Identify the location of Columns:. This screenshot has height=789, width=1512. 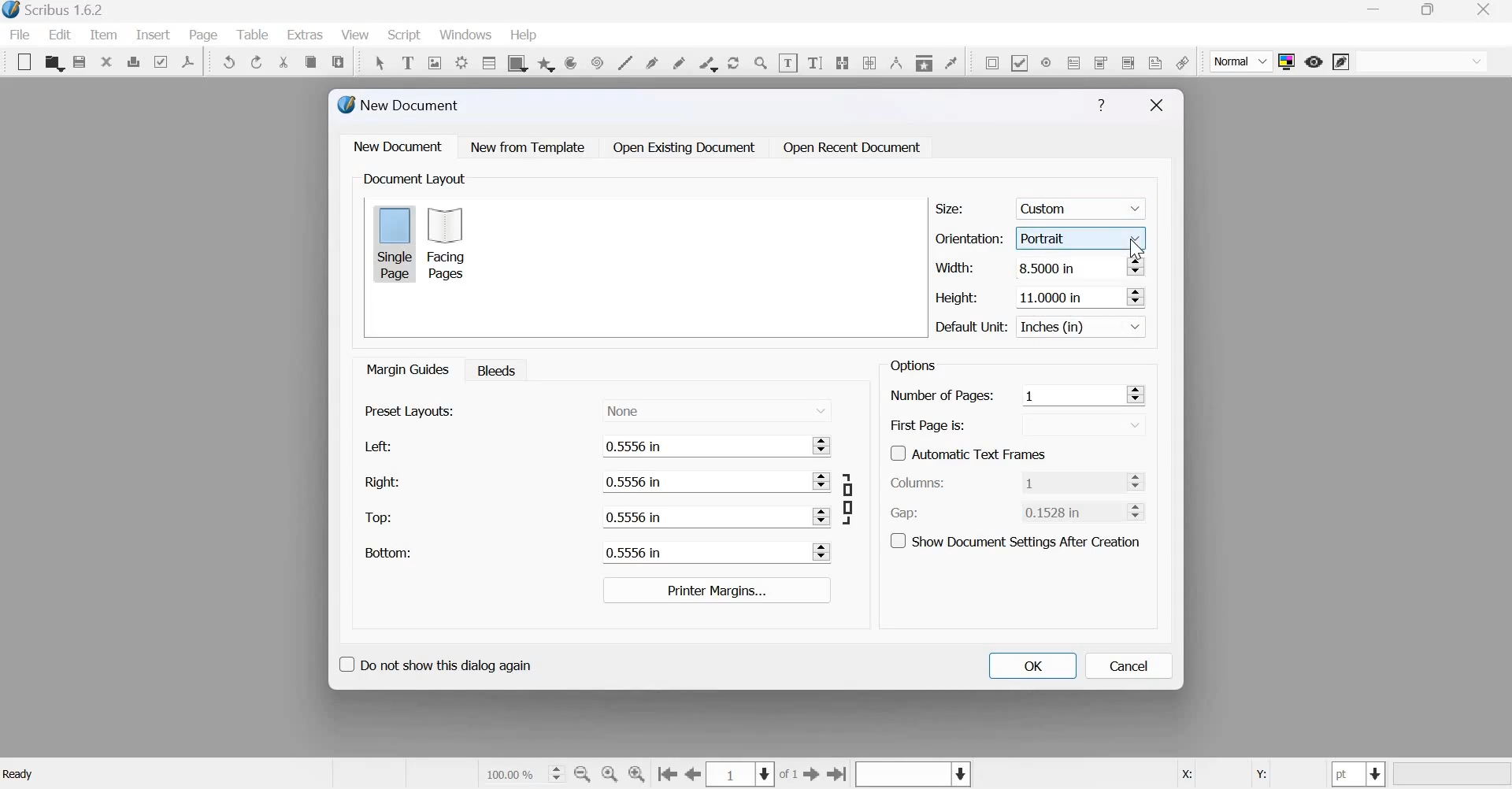
(918, 483).